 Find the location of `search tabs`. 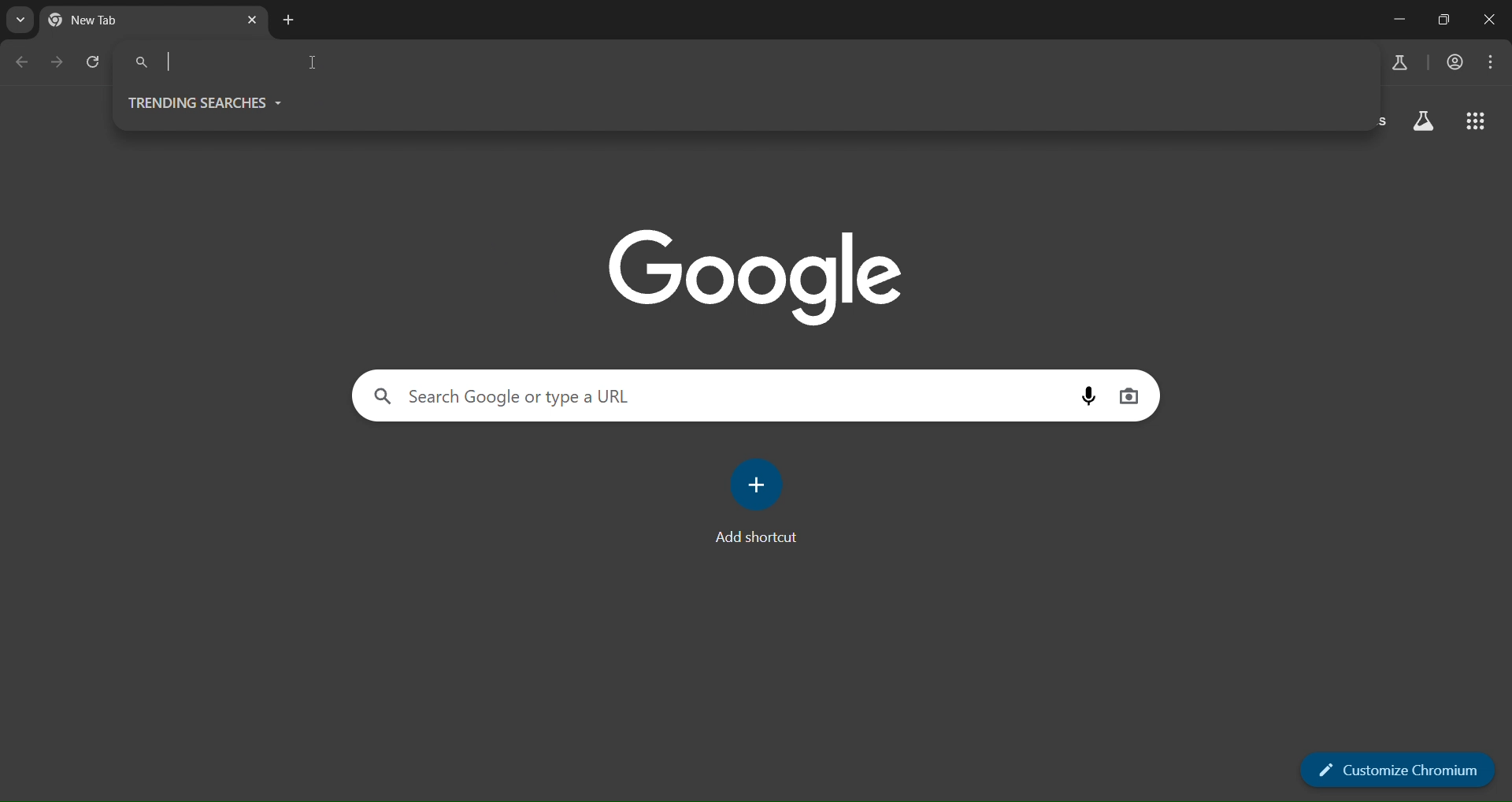

search tabs is located at coordinates (20, 21).